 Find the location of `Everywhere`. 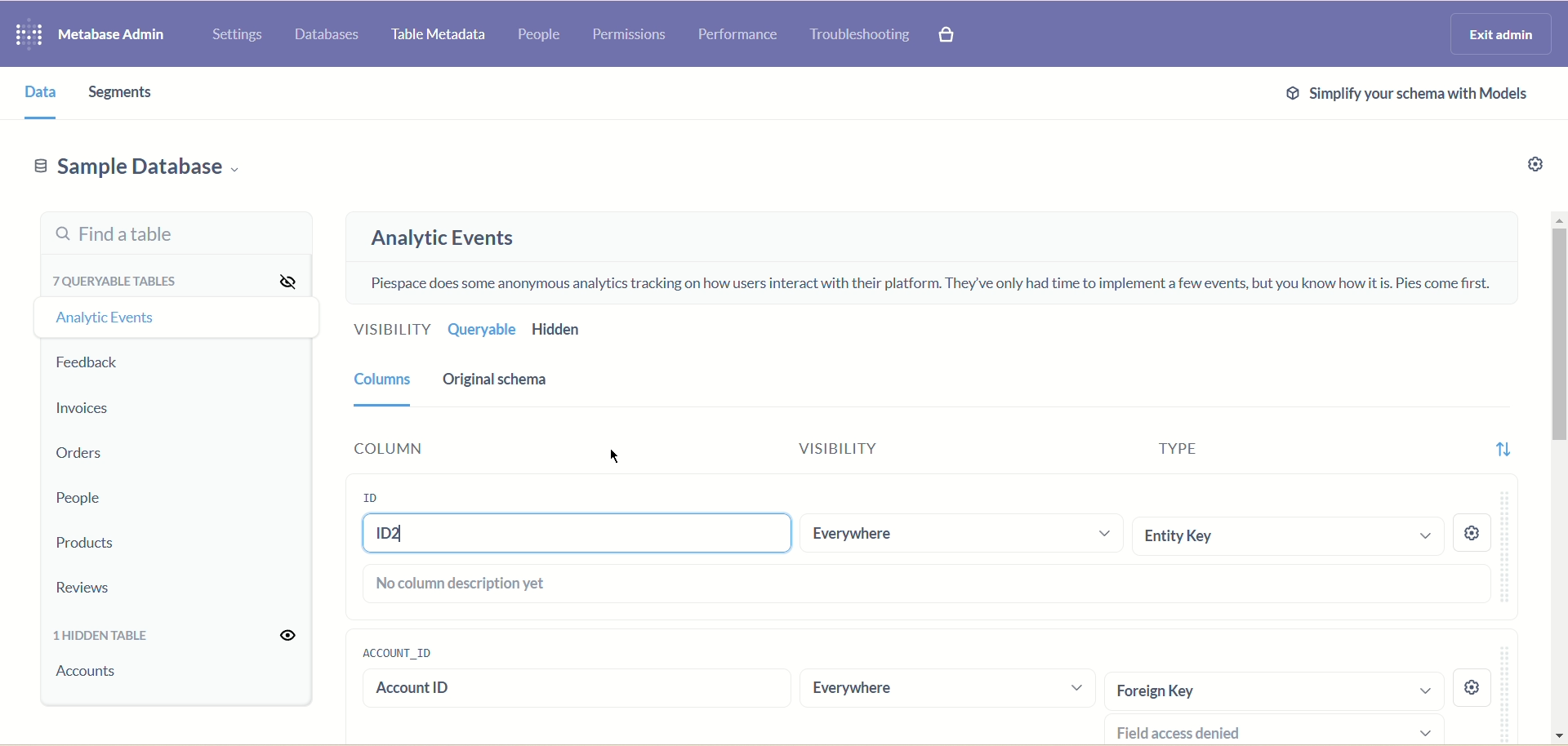

Everywhere is located at coordinates (960, 535).